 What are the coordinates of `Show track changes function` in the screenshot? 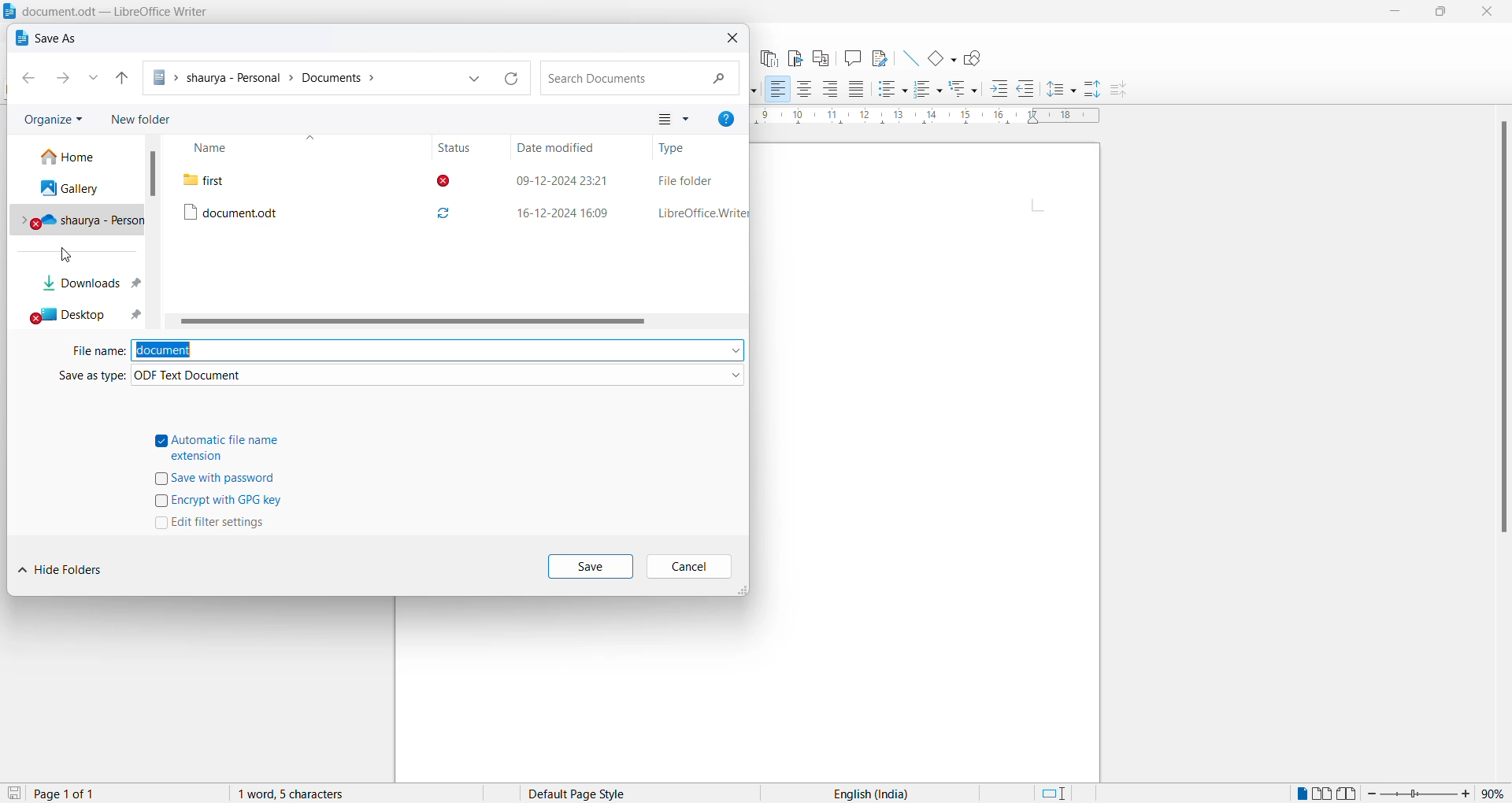 It's located at (880, 58).